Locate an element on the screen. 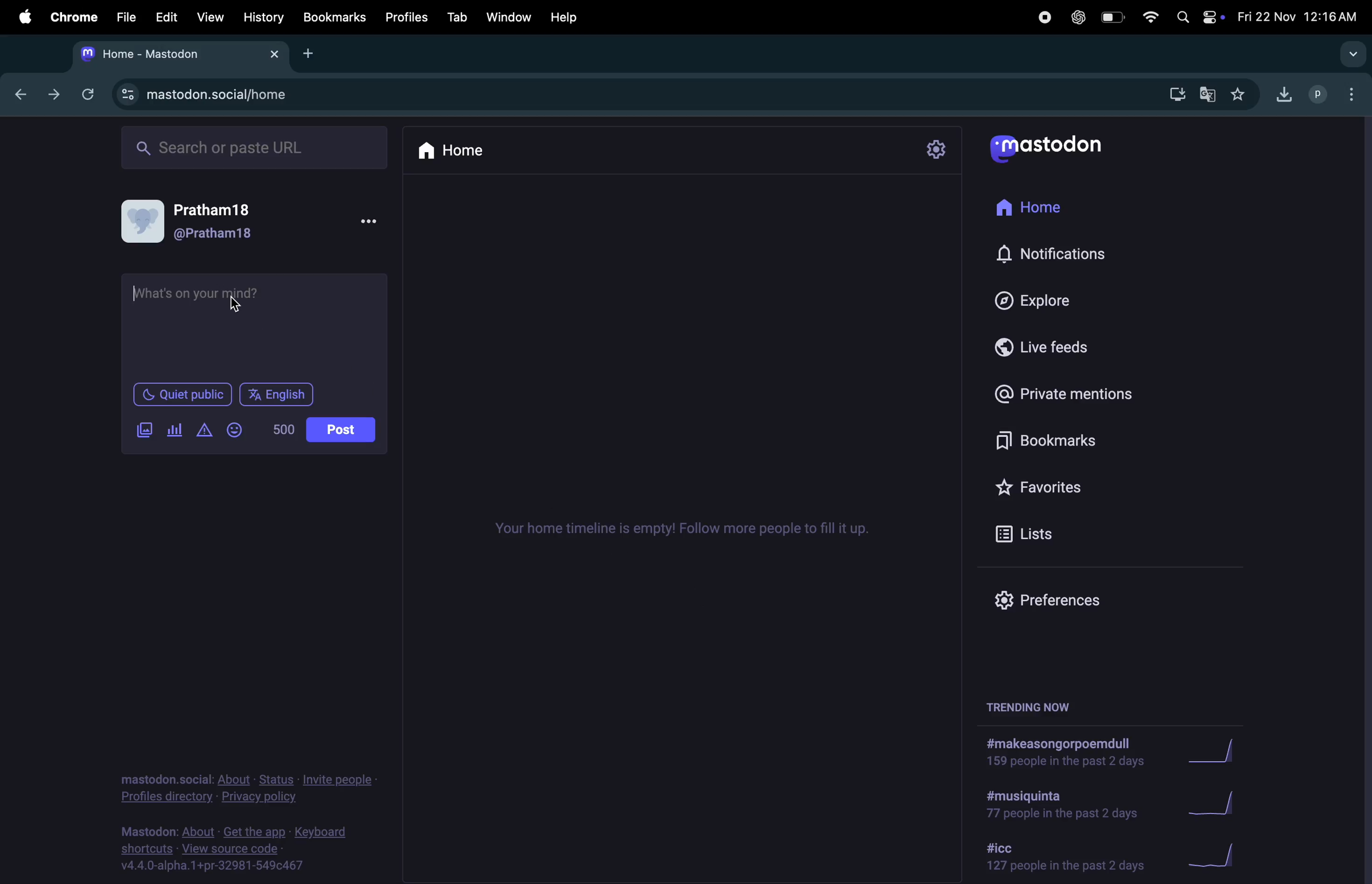  prefrence is located at coordinates (1057, 600).